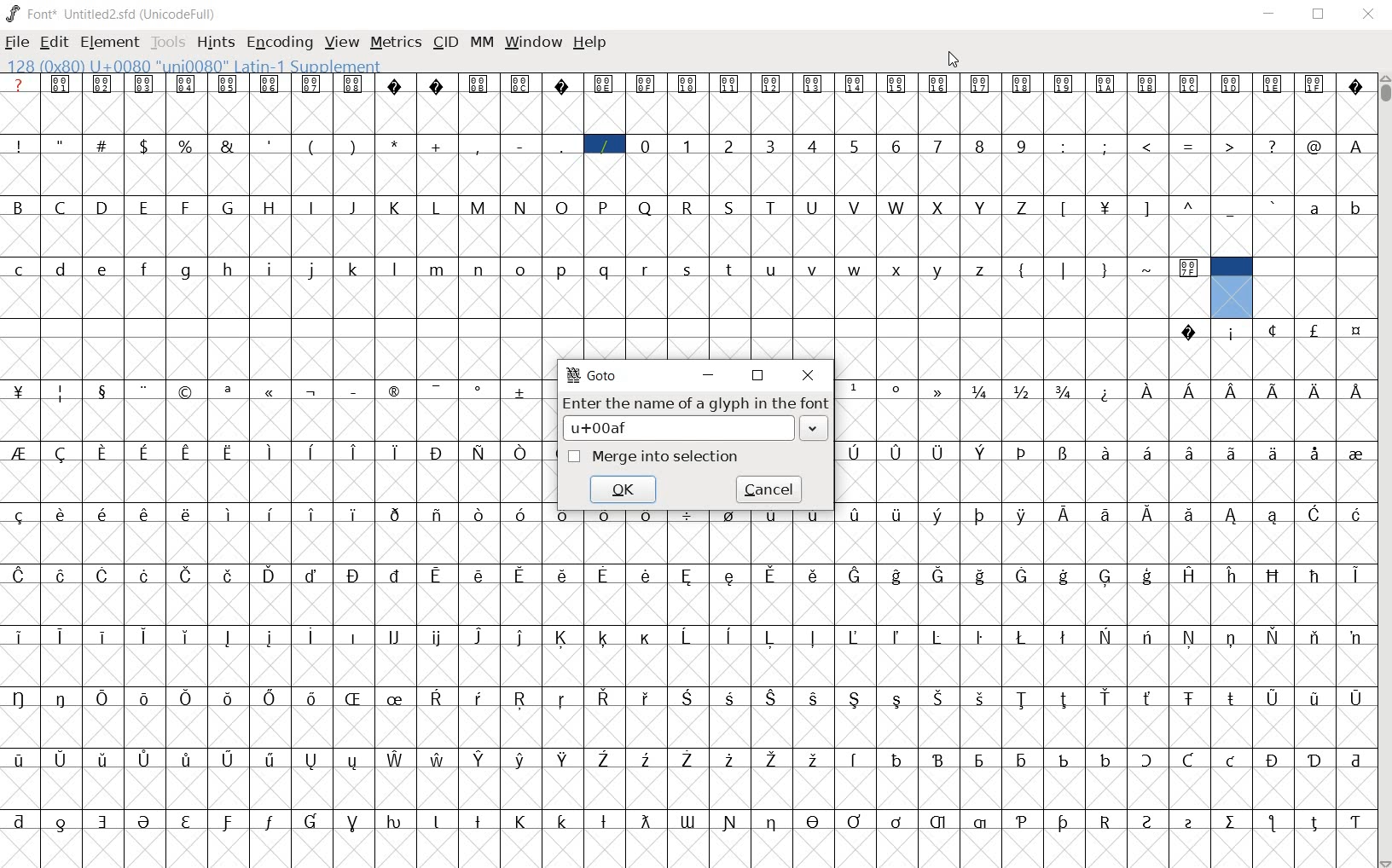 Image resolution: width=1392 pixels, height=868 pixels. I want to click on Symbol, so click(315, 574).